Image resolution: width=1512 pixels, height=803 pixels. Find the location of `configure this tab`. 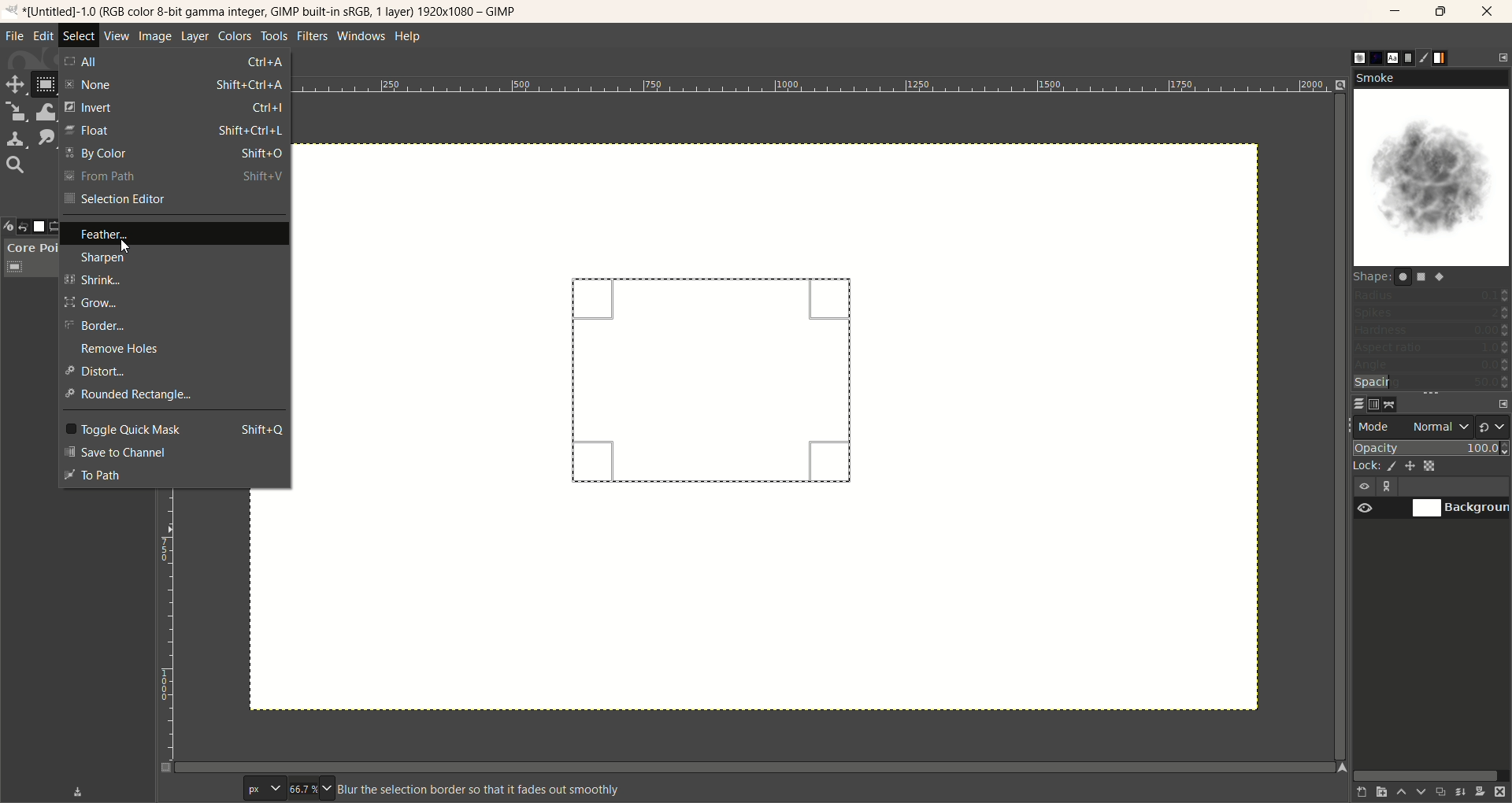

configure this tab is located at coordinates (1503, 402).